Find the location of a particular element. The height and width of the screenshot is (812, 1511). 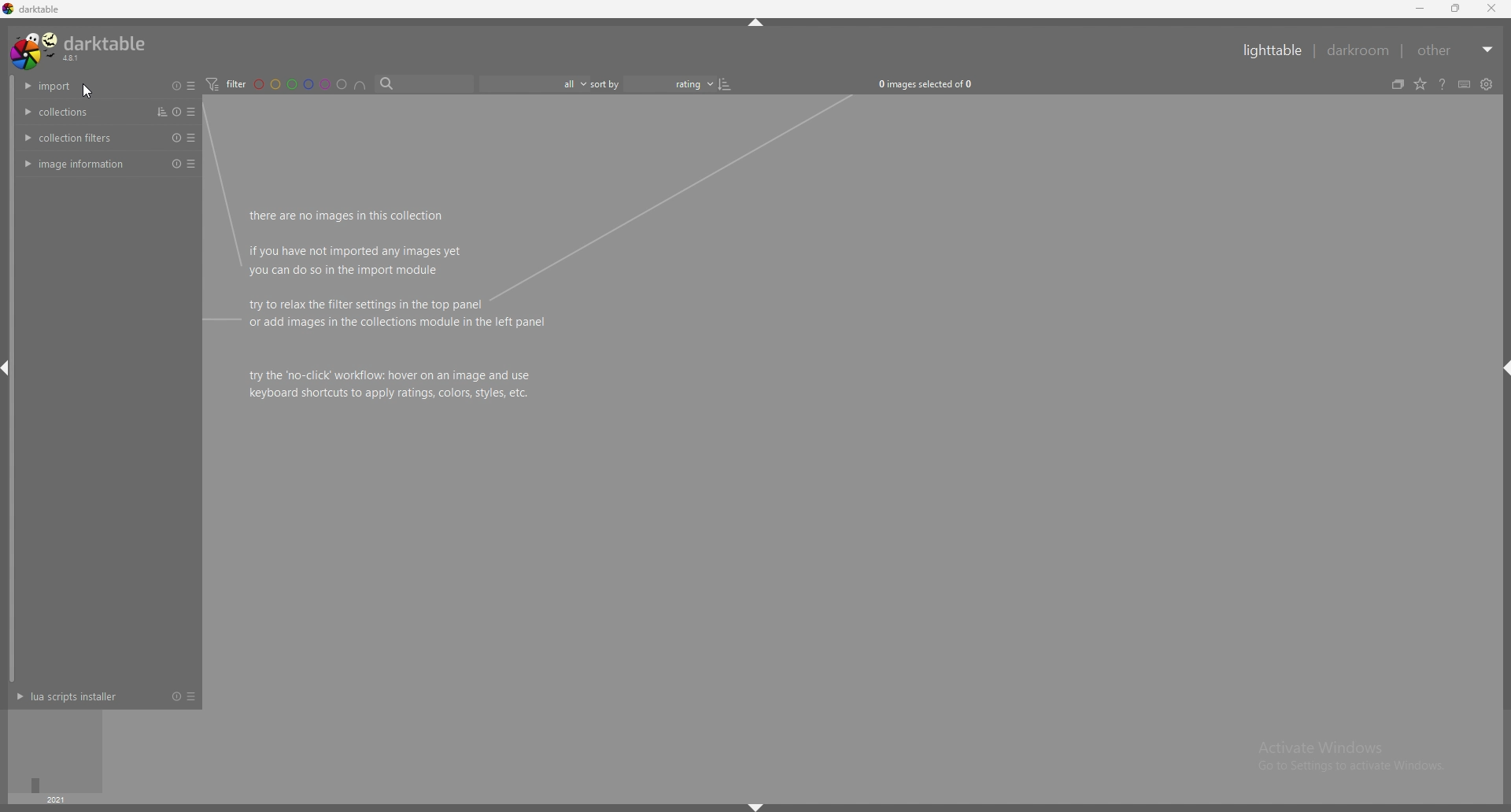

collections is located at coordinates (76, 111).